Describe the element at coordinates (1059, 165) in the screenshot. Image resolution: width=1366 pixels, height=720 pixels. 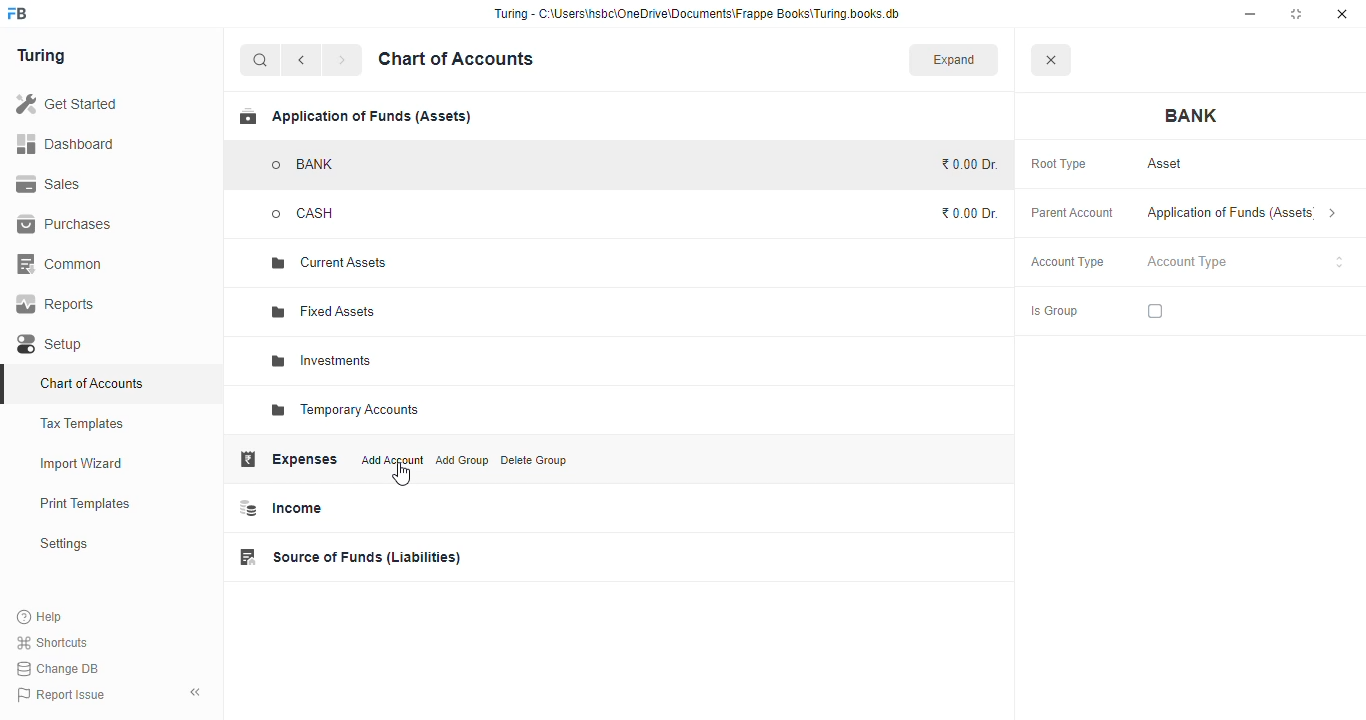
I see `root type` at that location.